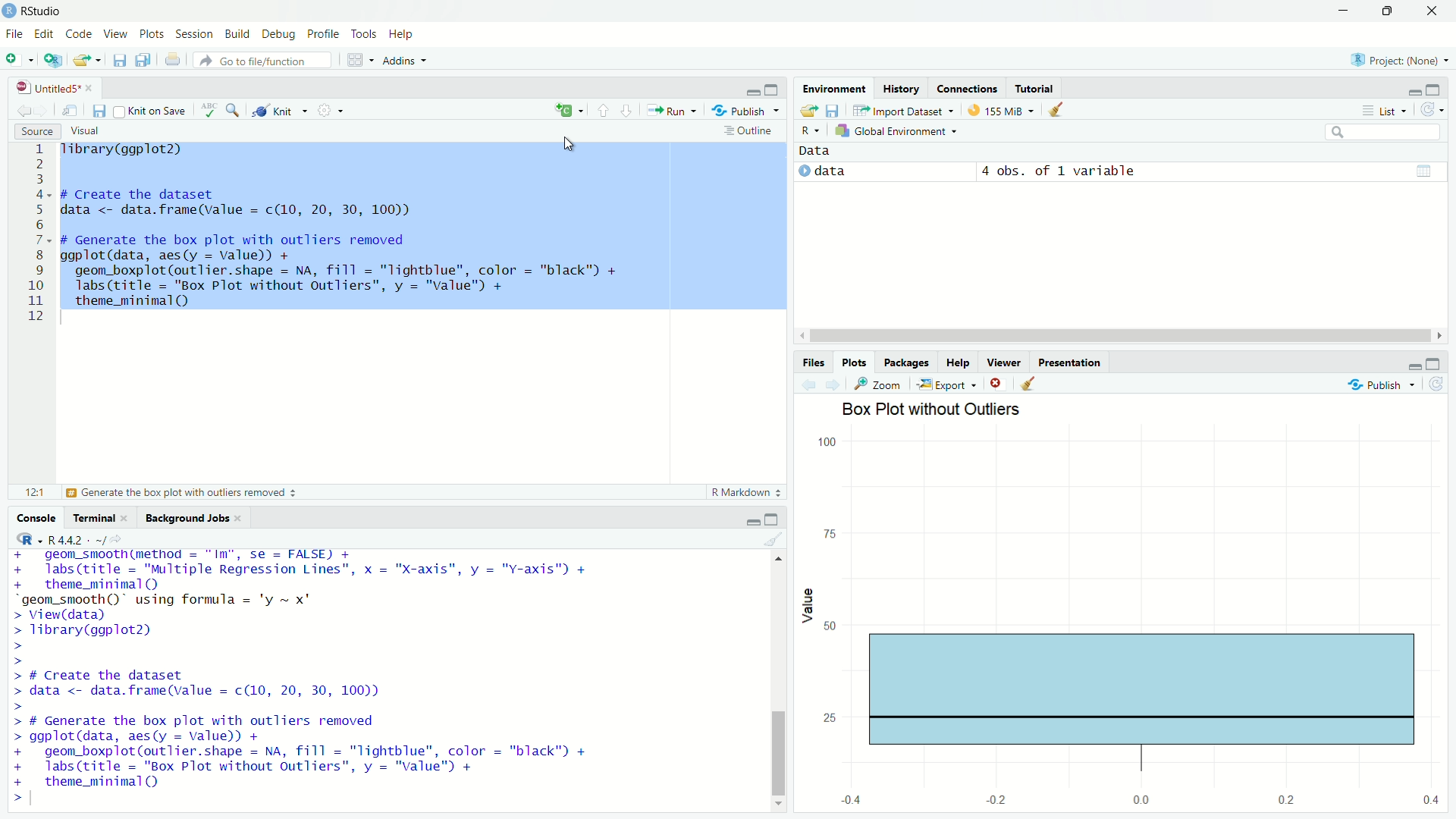 This screenshot has width=1456, height=819. What do you see at coordinates (1385, 110) in the screenshot?
I see `© List` at bounding box center [1385, 110].